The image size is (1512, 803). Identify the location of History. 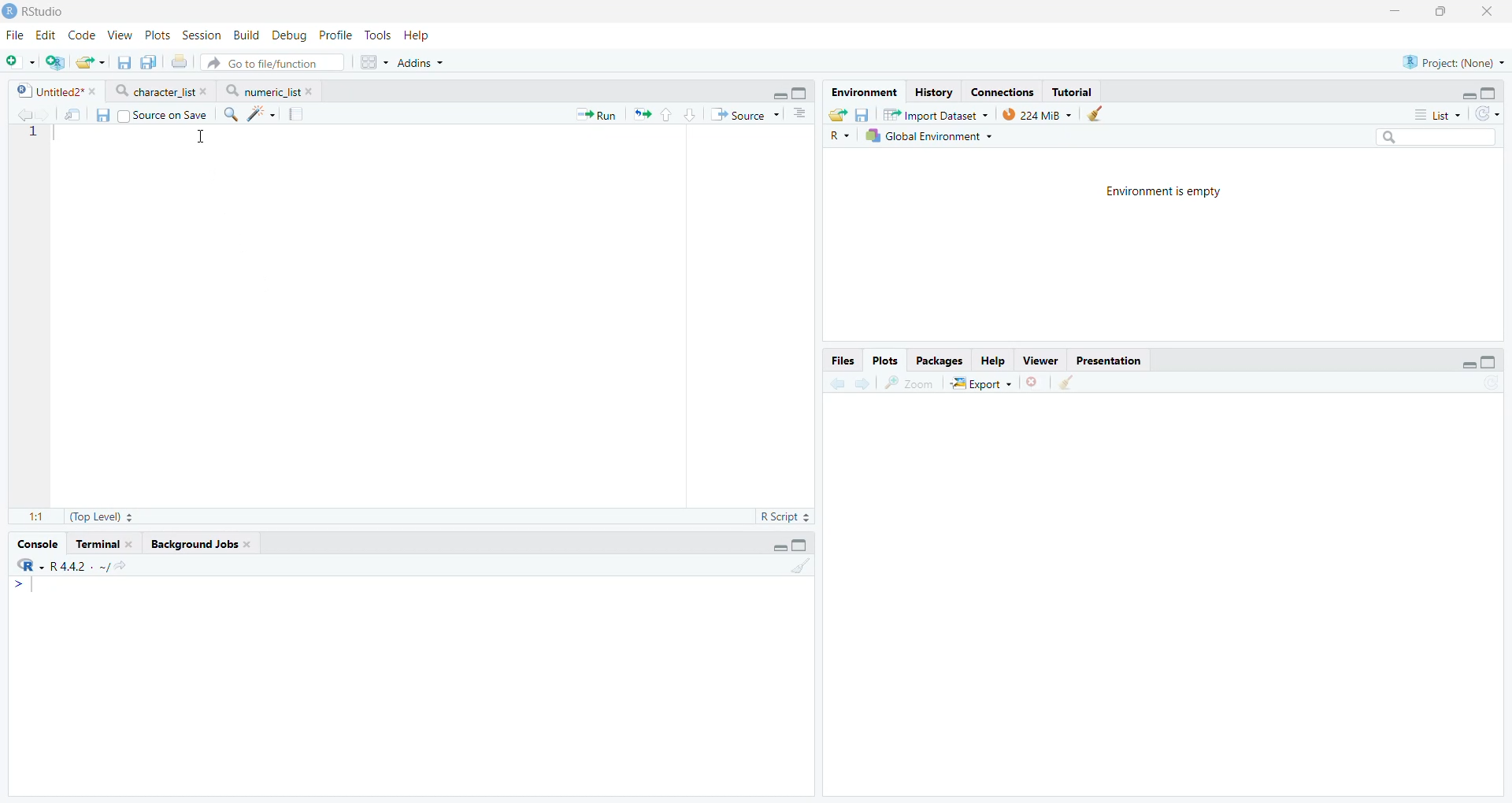
(934, 91).